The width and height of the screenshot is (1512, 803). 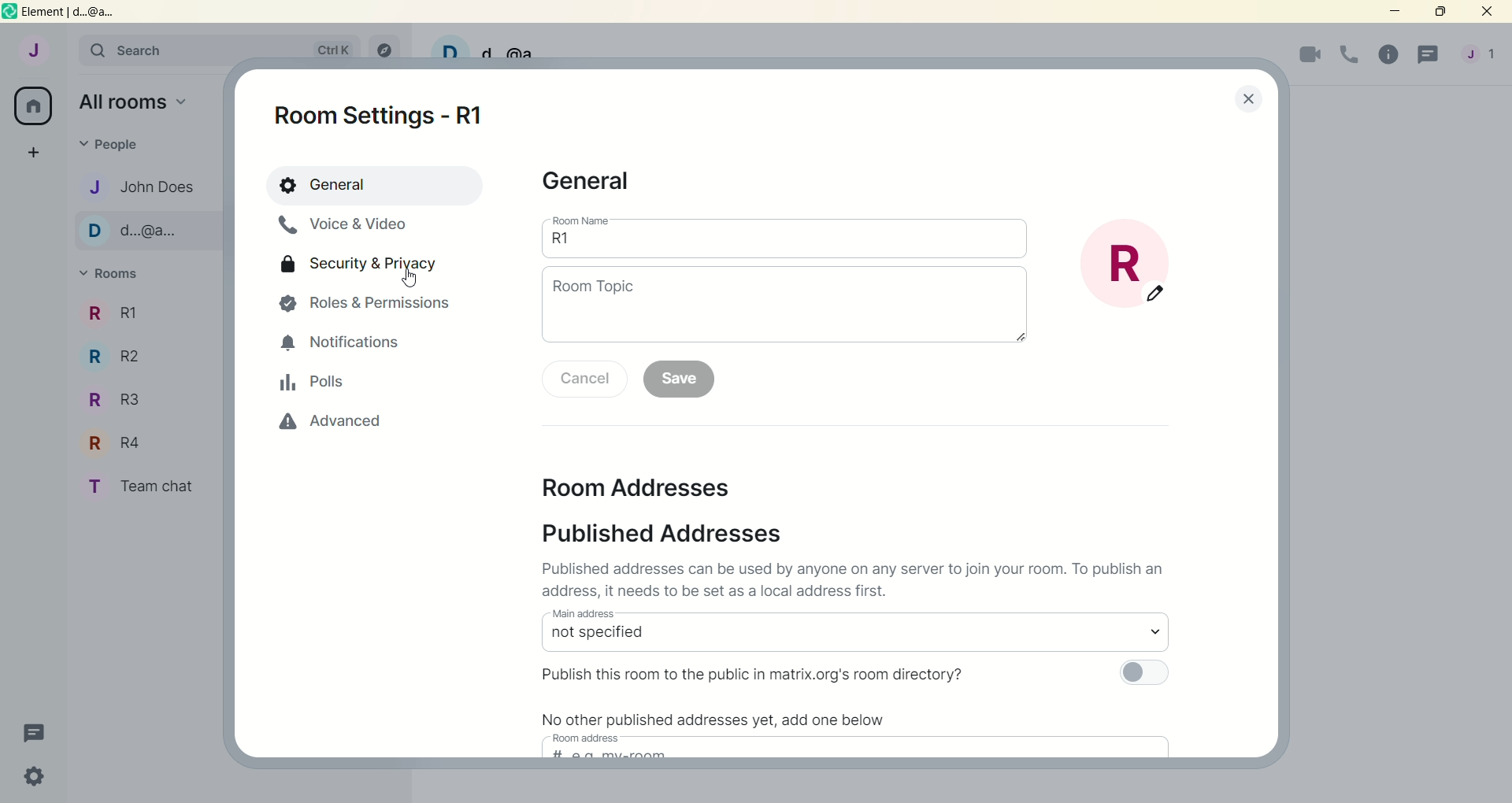 What do you see at coordinates (639, 489) in the screenshot?
I see `room addresses` at bounding box center [639, 489].